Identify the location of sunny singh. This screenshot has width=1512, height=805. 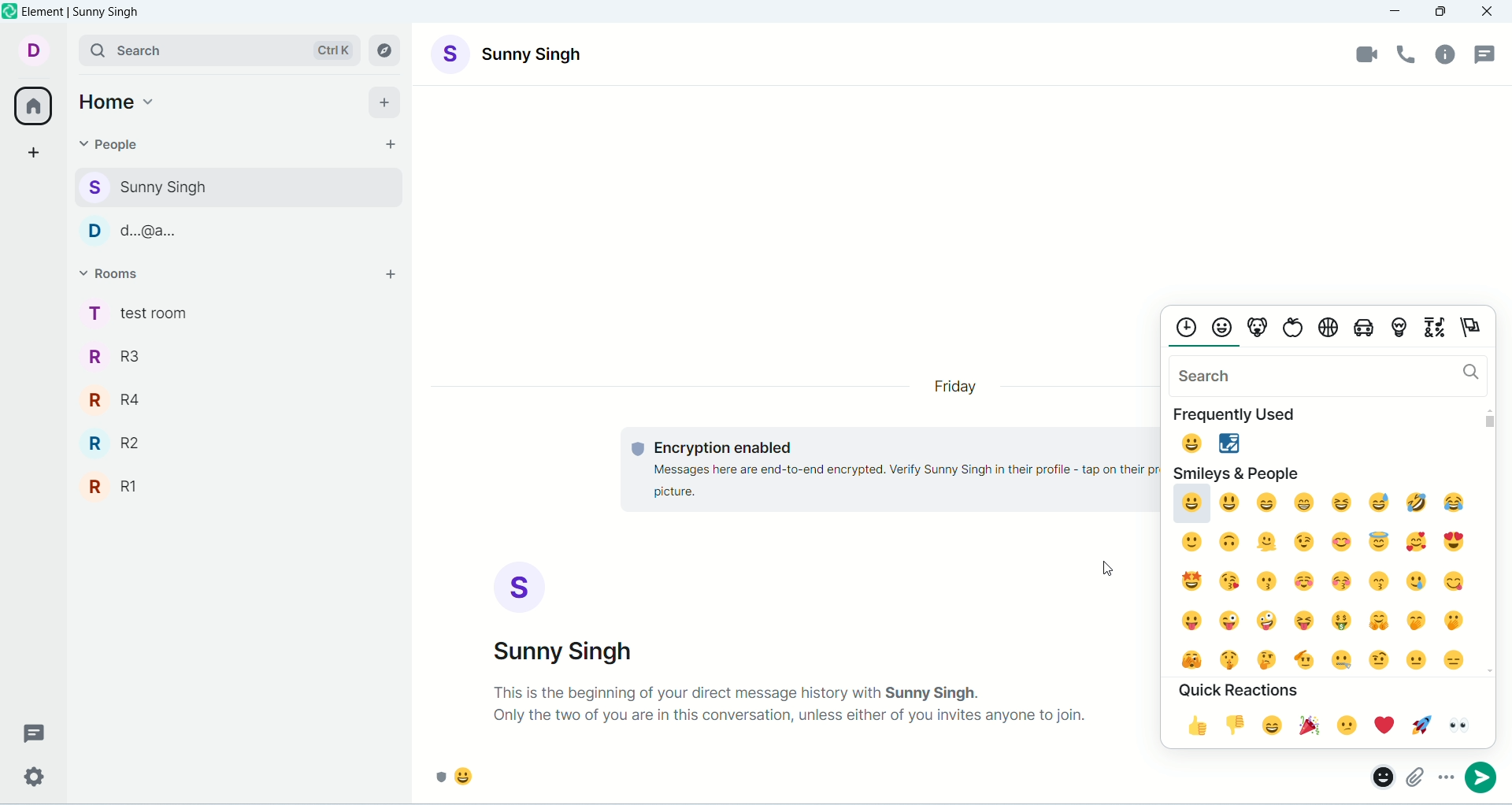
(235, 185).